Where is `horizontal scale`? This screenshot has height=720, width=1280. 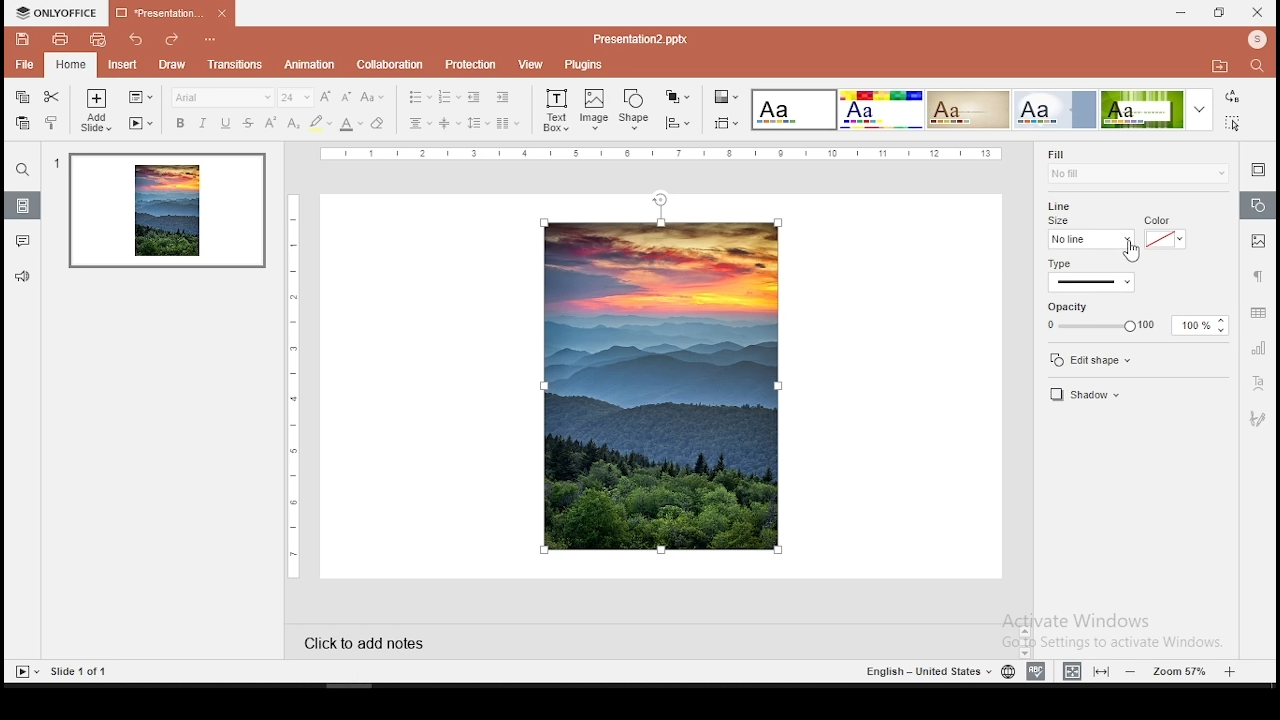
horizontal scale is located at coordinates (668, 154).